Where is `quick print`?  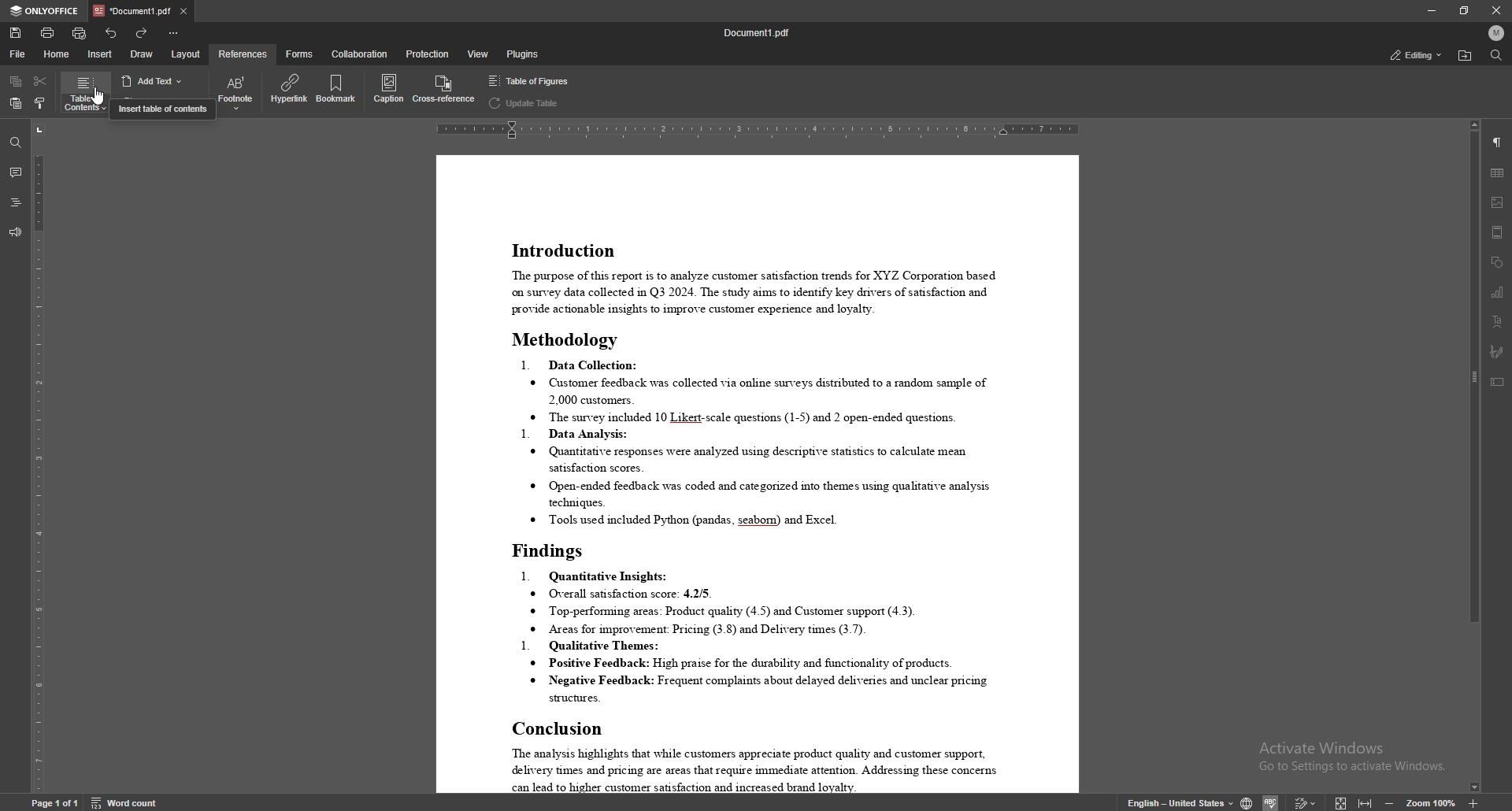
quick print is located at coordinates (80, 32).